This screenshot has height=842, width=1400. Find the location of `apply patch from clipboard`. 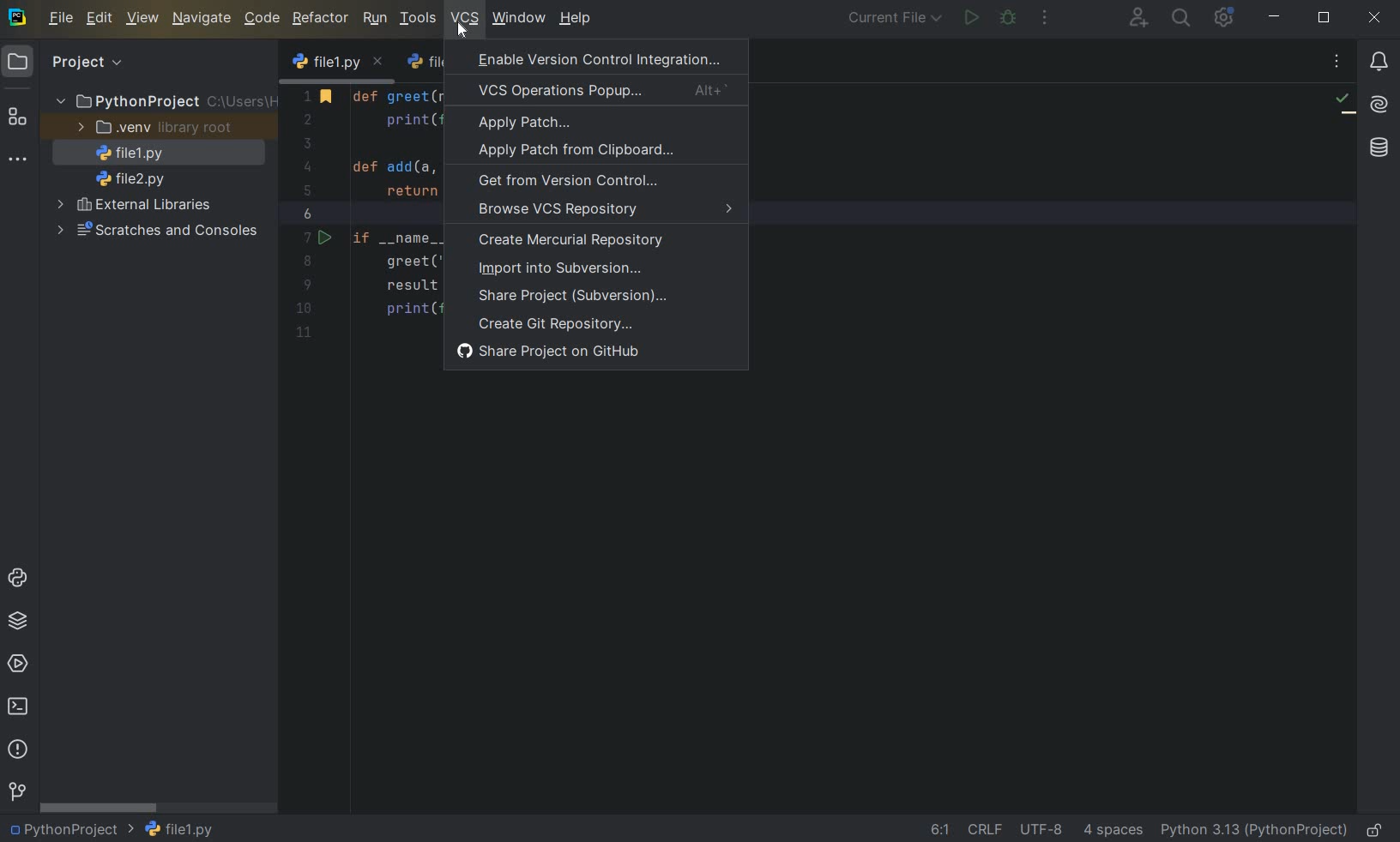

apply patch from clipboard is located at coordinates (588, 153).